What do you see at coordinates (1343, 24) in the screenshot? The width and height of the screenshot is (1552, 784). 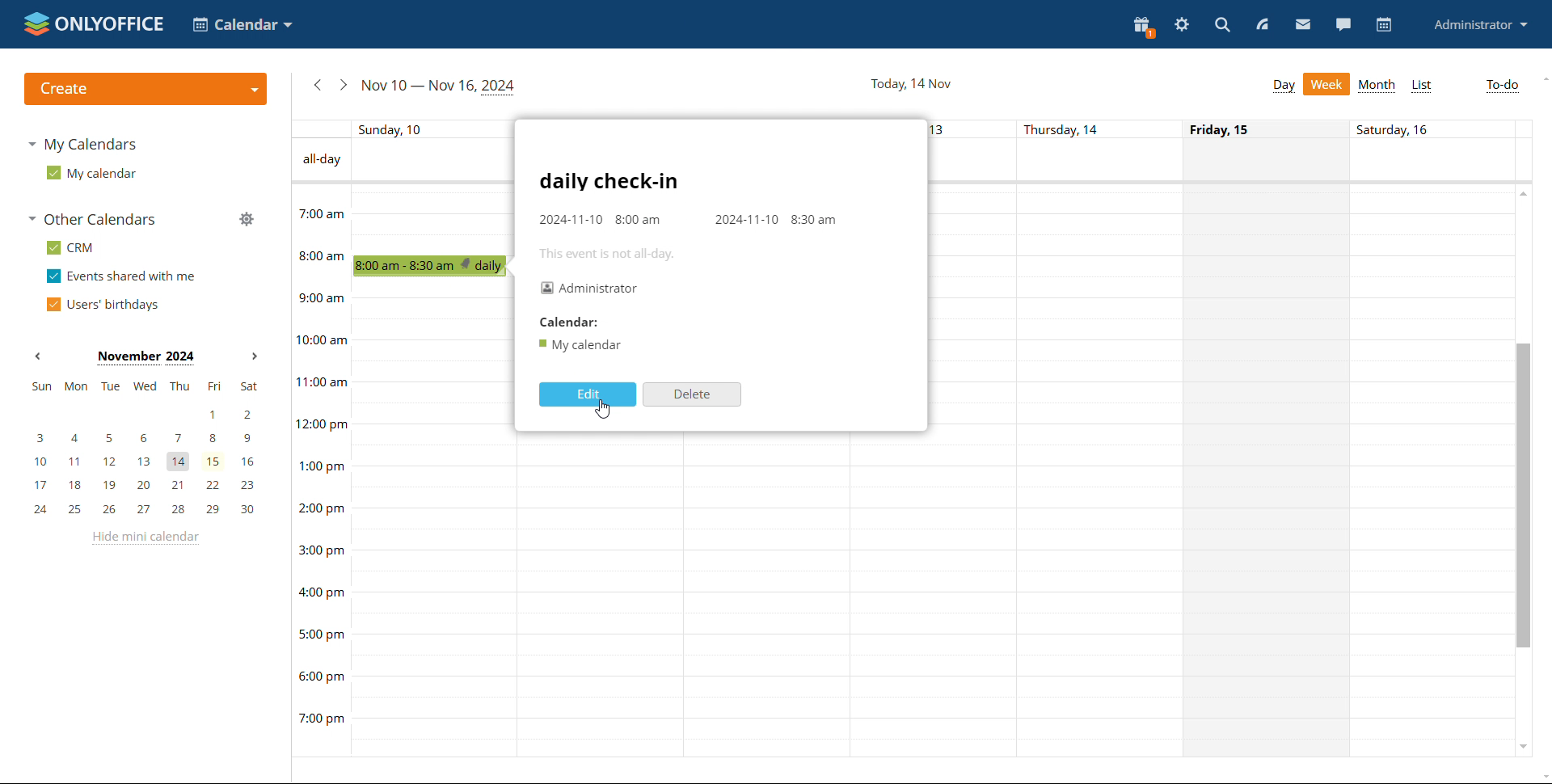 I see `chat` at bounding box center [1343, 24].